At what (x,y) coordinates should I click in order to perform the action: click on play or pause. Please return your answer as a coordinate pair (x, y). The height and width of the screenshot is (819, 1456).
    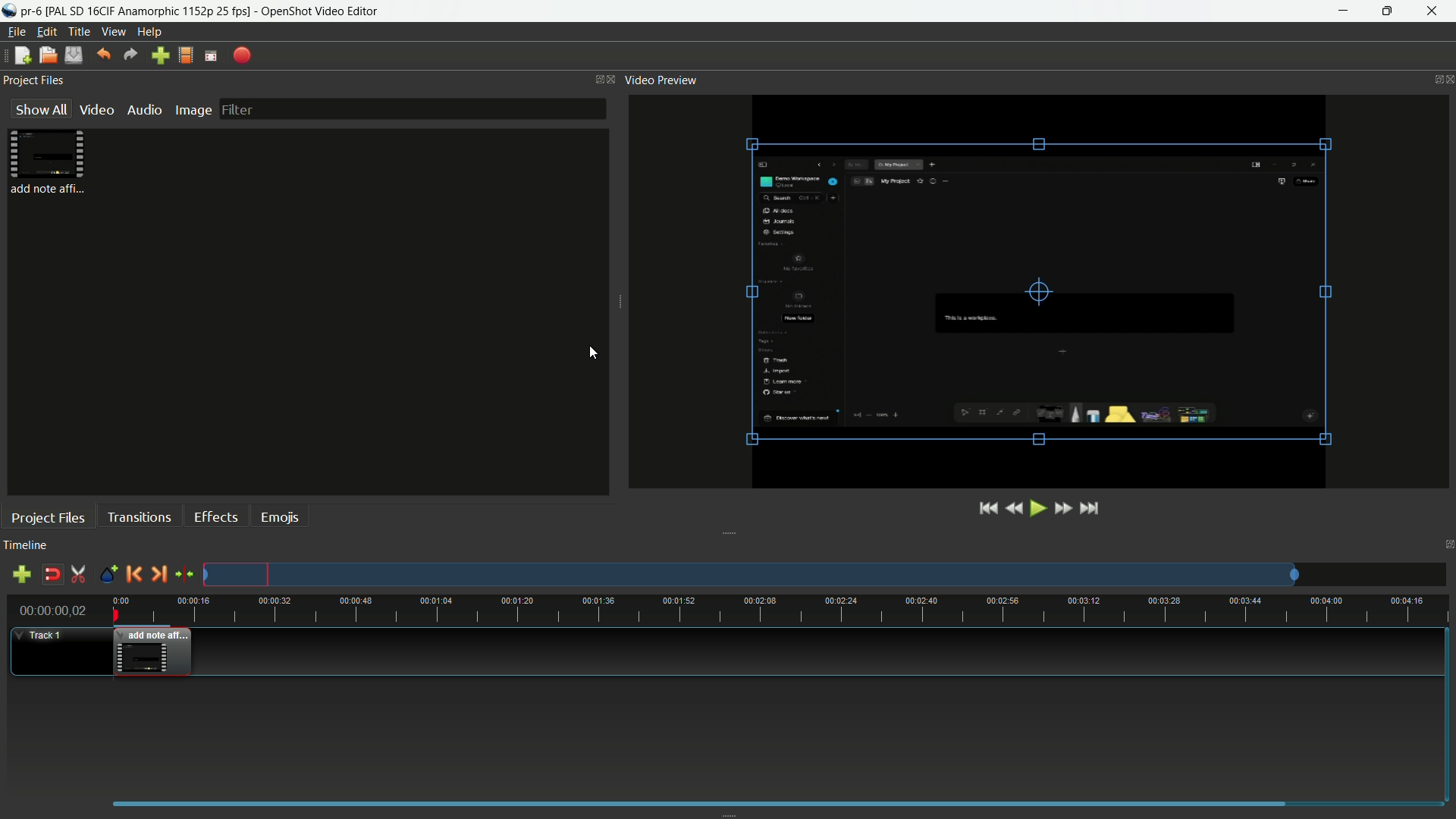
    Looking at the image, I should click on (1036, 508).